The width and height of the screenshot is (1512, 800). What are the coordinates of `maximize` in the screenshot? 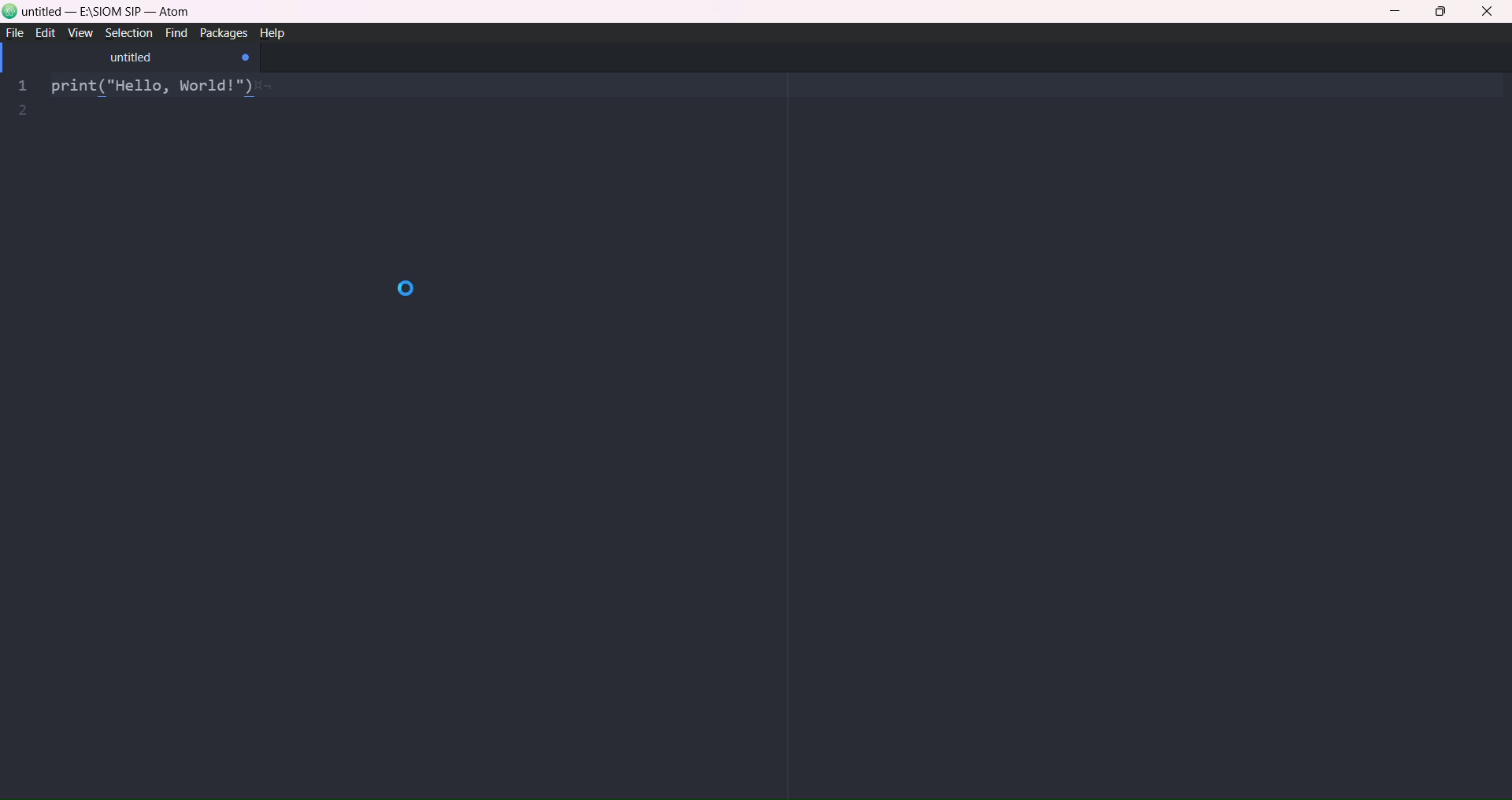 It's located at (1443, 11).